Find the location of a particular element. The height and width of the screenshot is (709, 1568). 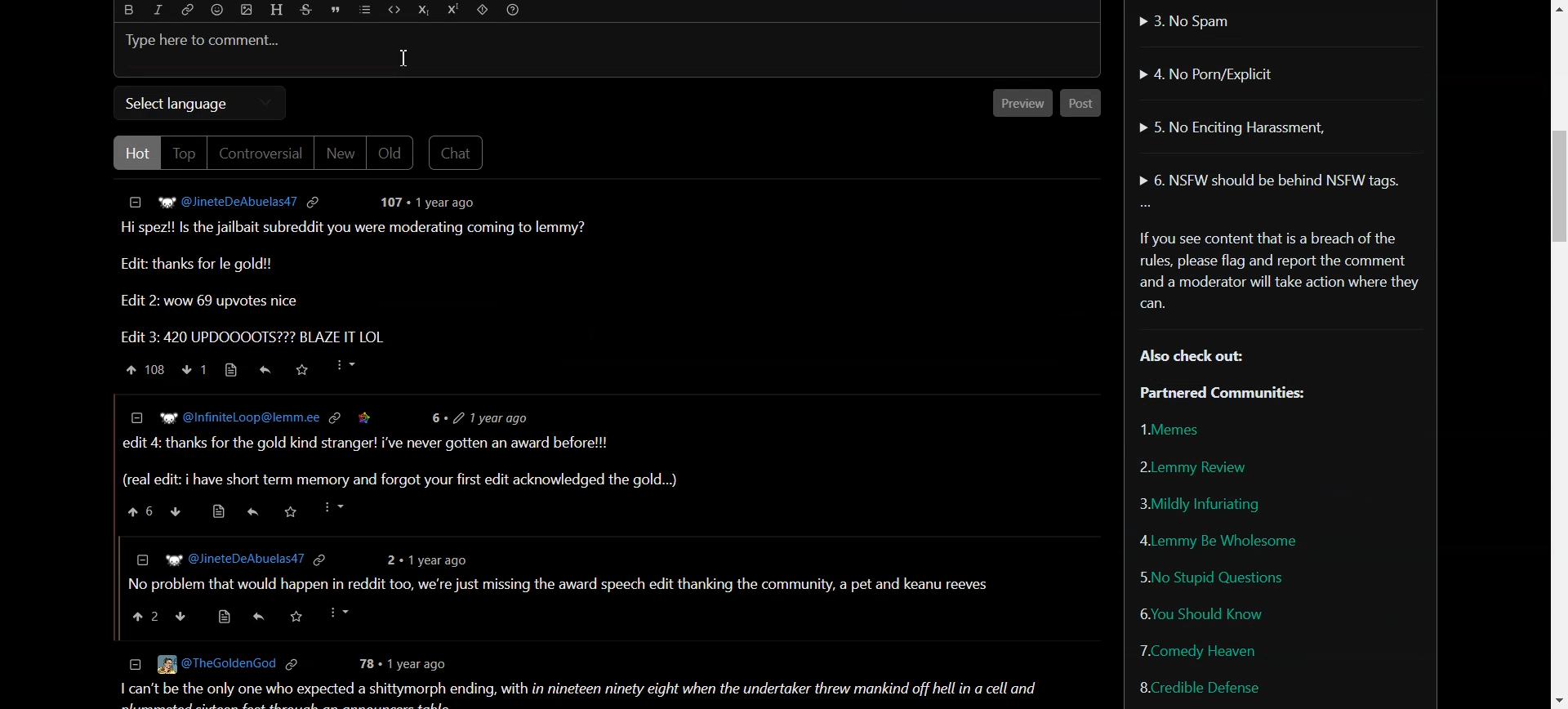

Partnered Communities: is located at coordinates (1242, 393).